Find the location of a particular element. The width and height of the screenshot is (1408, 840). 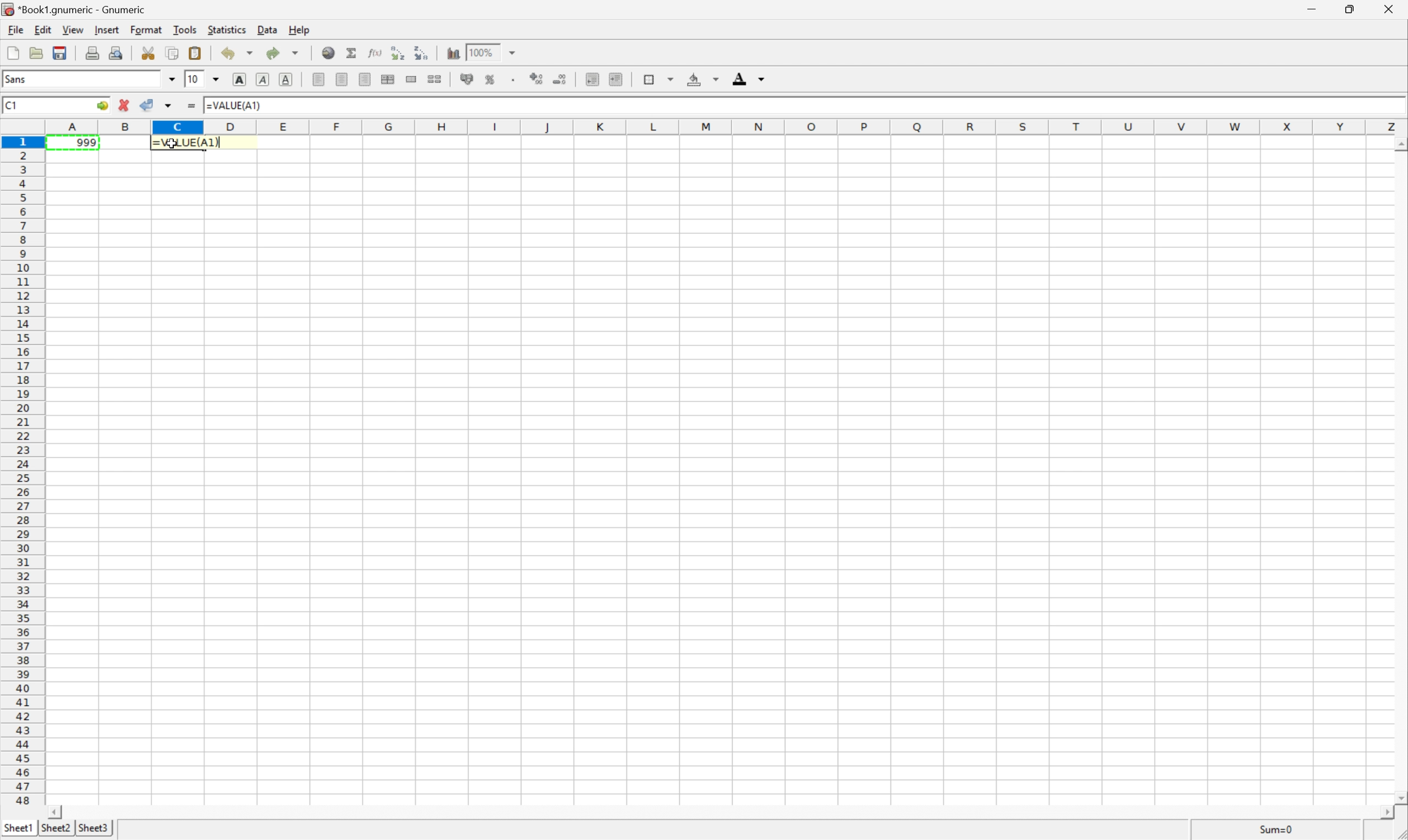

format selection as percentage is located at coordinates (491, 80).